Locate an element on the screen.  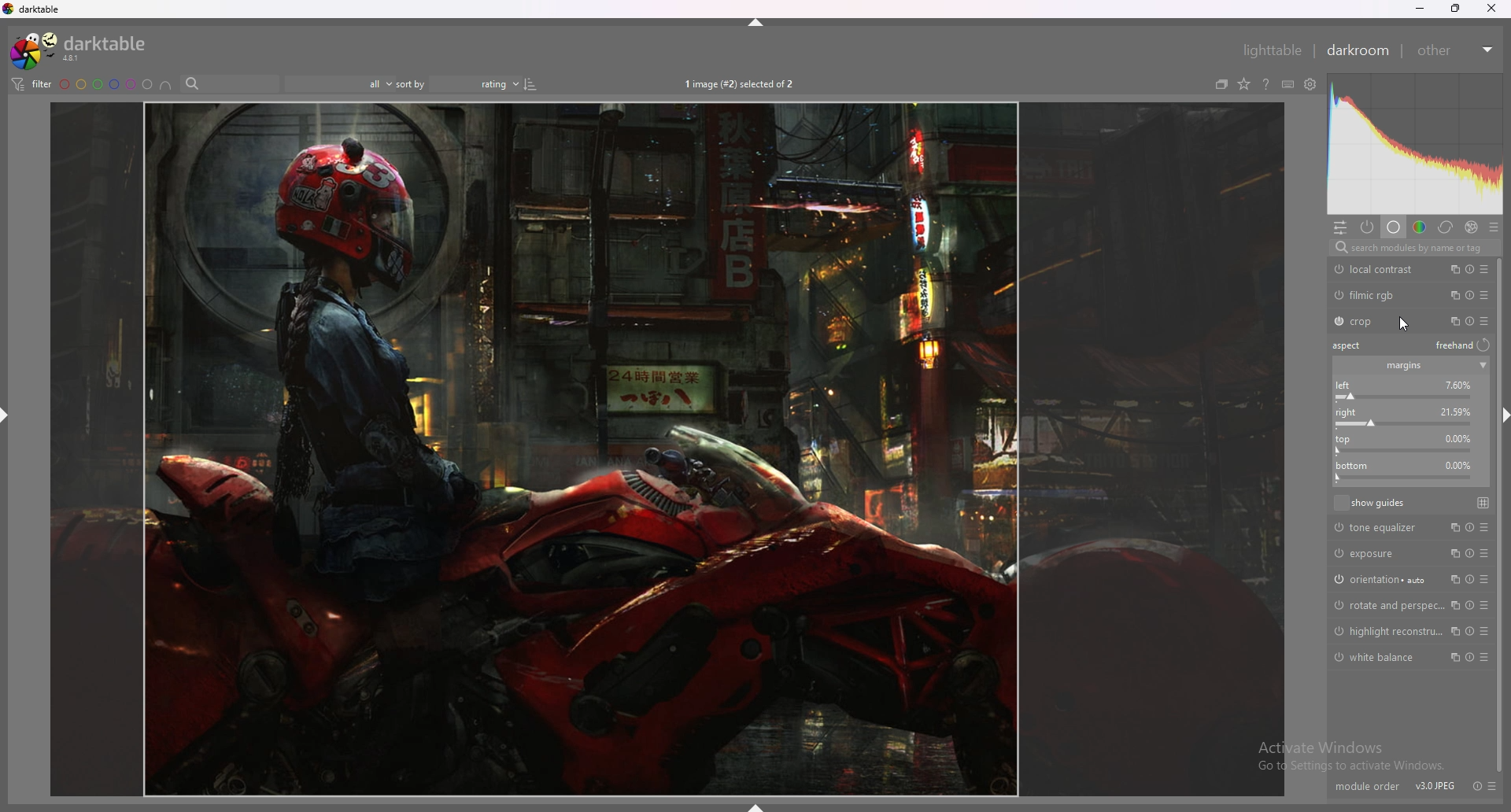
top is located at coordinates (1407, 419).